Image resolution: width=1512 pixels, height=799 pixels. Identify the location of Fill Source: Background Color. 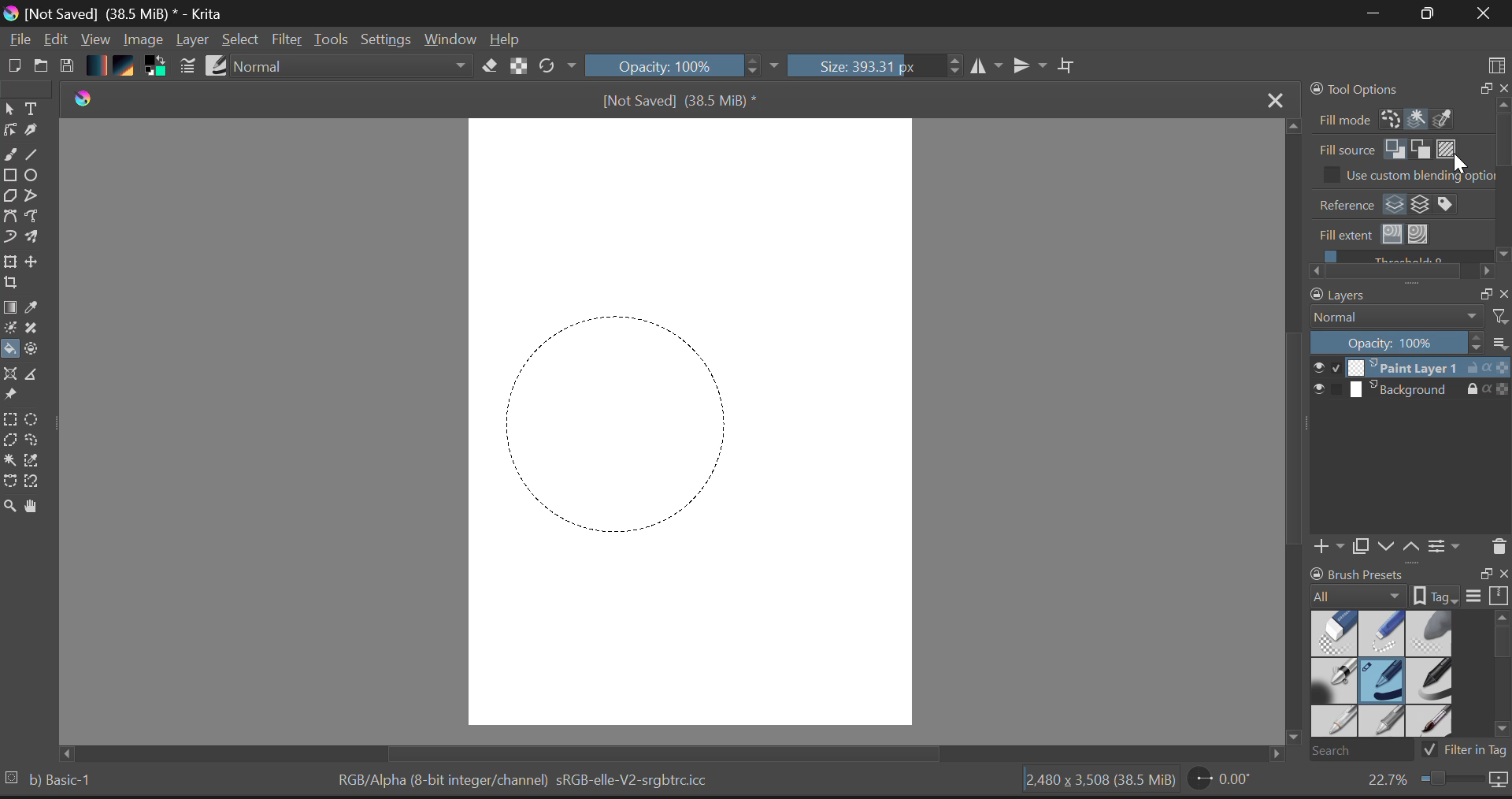
(1421, 149).